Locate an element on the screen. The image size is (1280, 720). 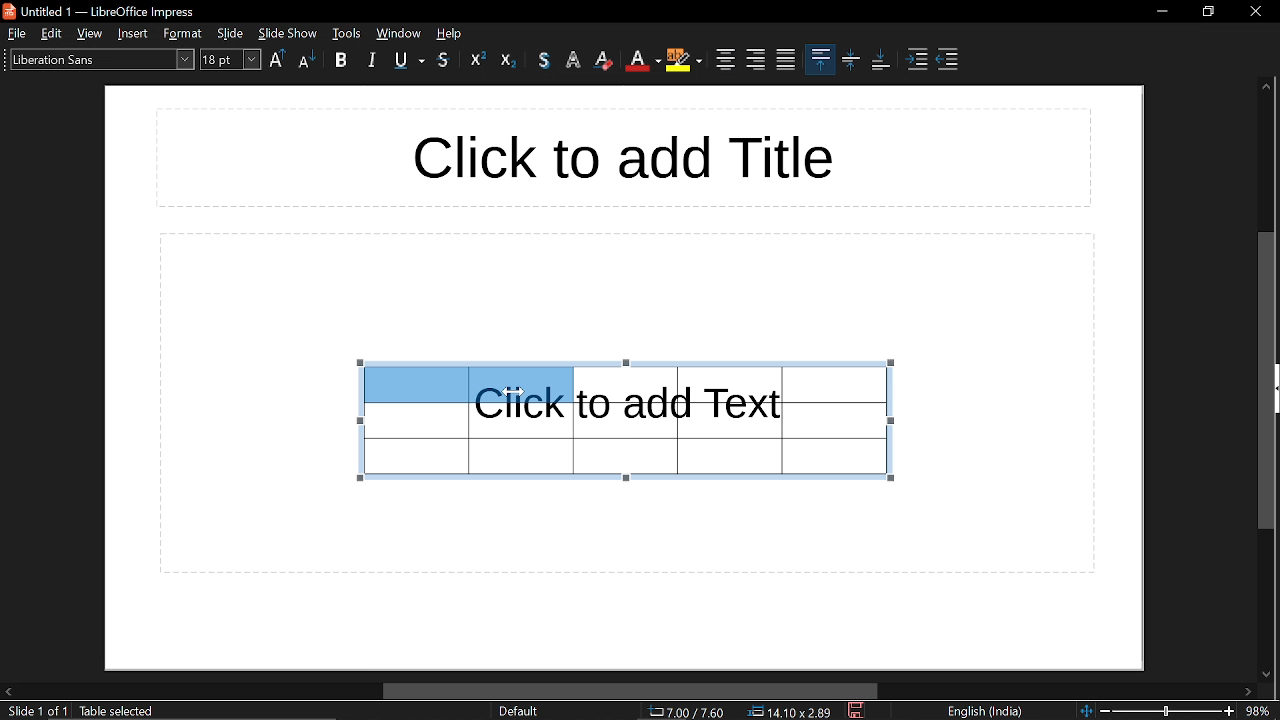
align top is located at coordinates (820, 58).